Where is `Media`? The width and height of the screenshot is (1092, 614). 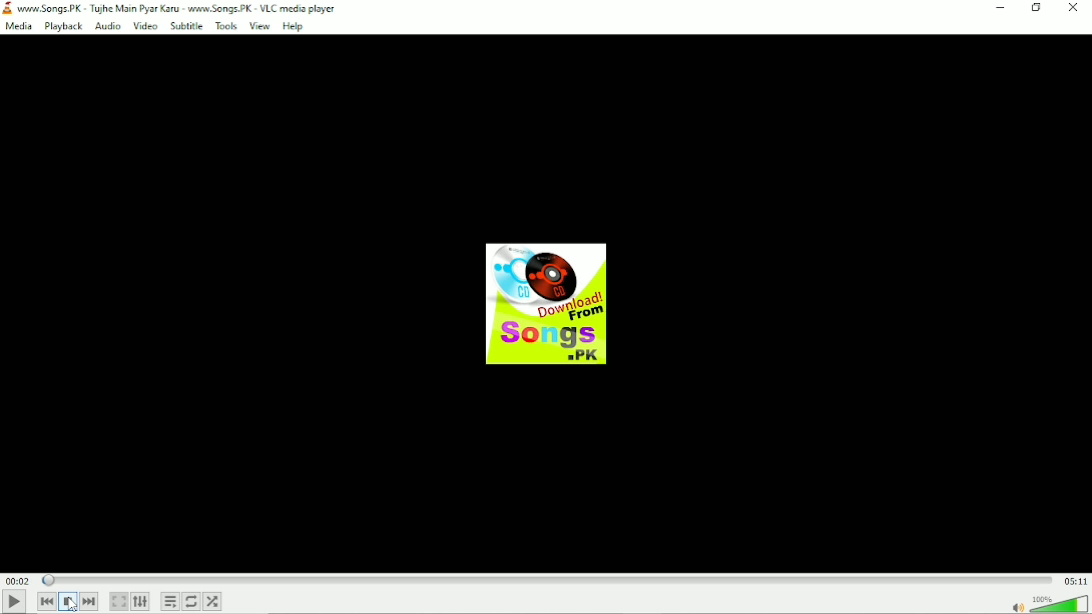 Media is located at coordinates (19, 27).